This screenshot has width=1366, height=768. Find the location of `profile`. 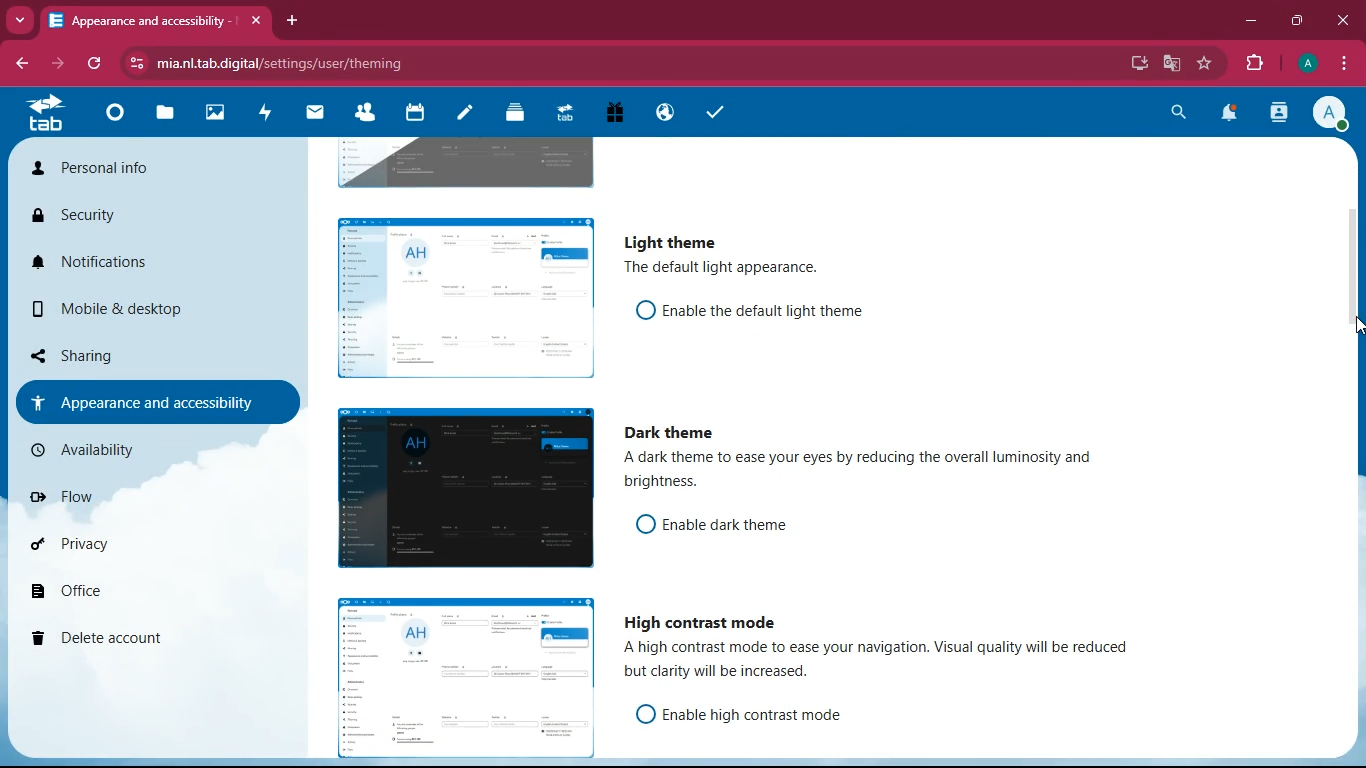

profile is located at coordinates (1331, 116).